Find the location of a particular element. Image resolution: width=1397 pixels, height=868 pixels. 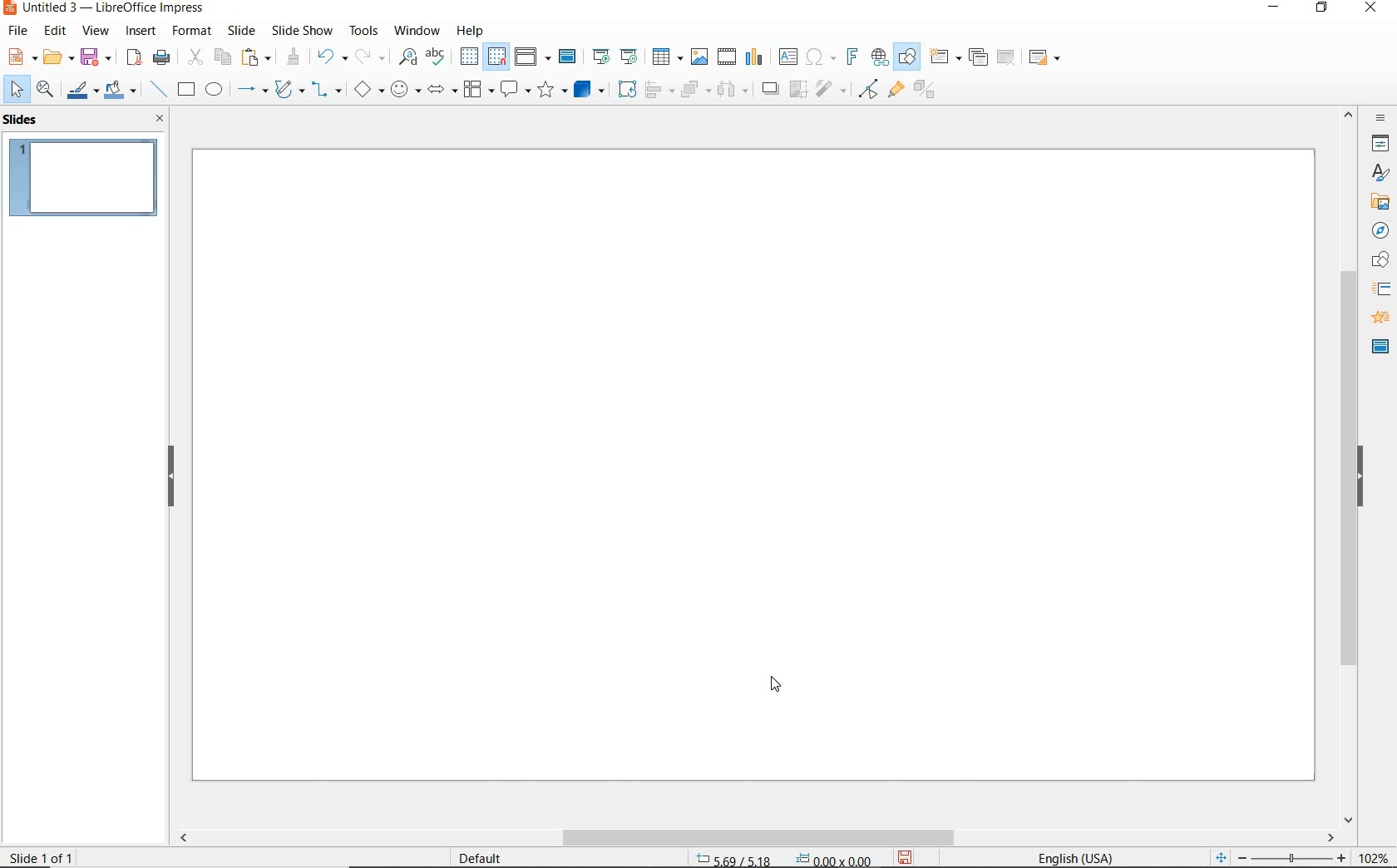

HIDE is located at coordinates (170, 478).